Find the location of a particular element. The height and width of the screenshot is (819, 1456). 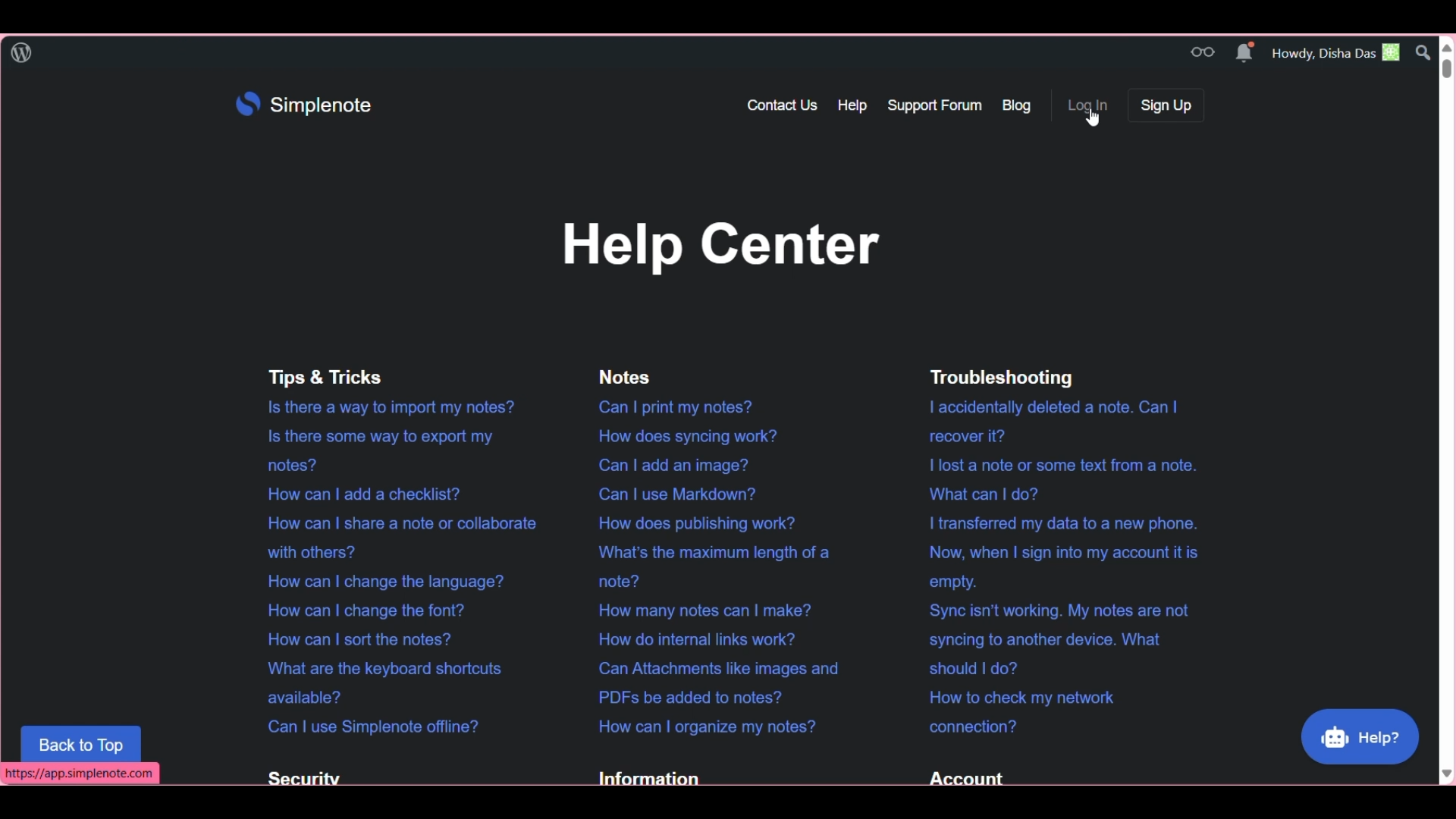

Is there some way to export my notes? is located at coordinates (370, 448).